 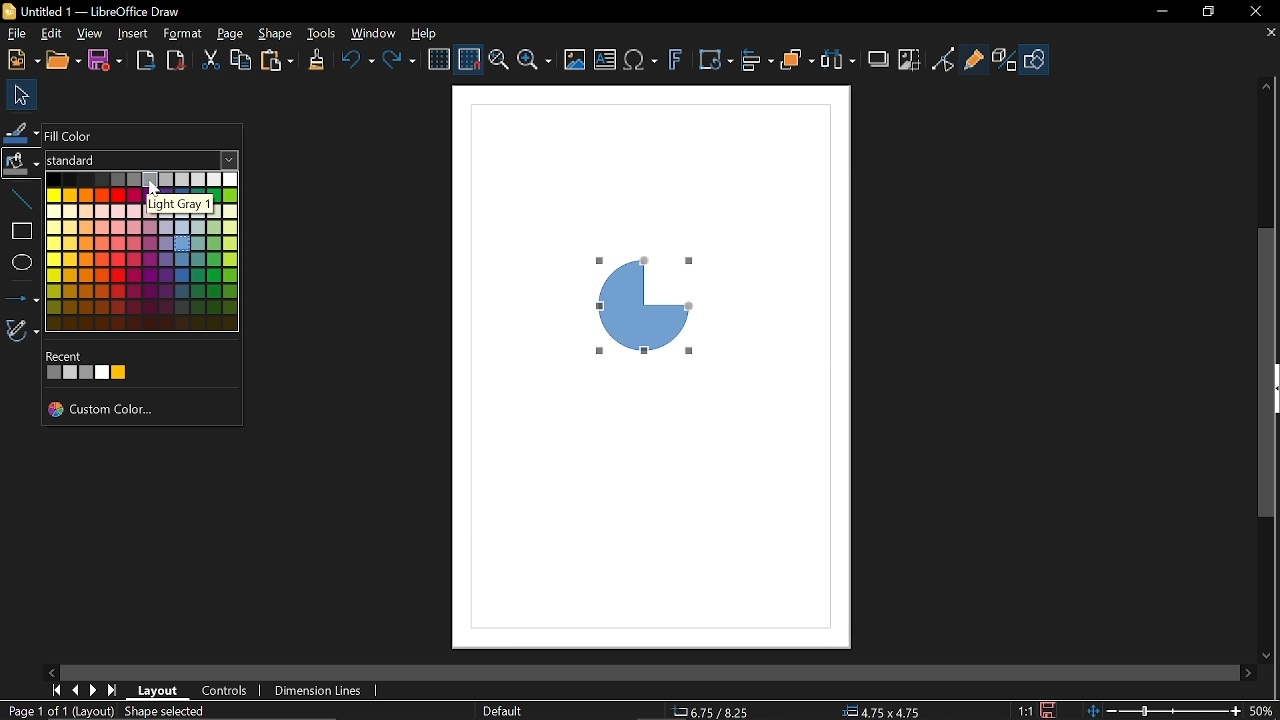 I want to click on Cut , so click(x=210, y=60).